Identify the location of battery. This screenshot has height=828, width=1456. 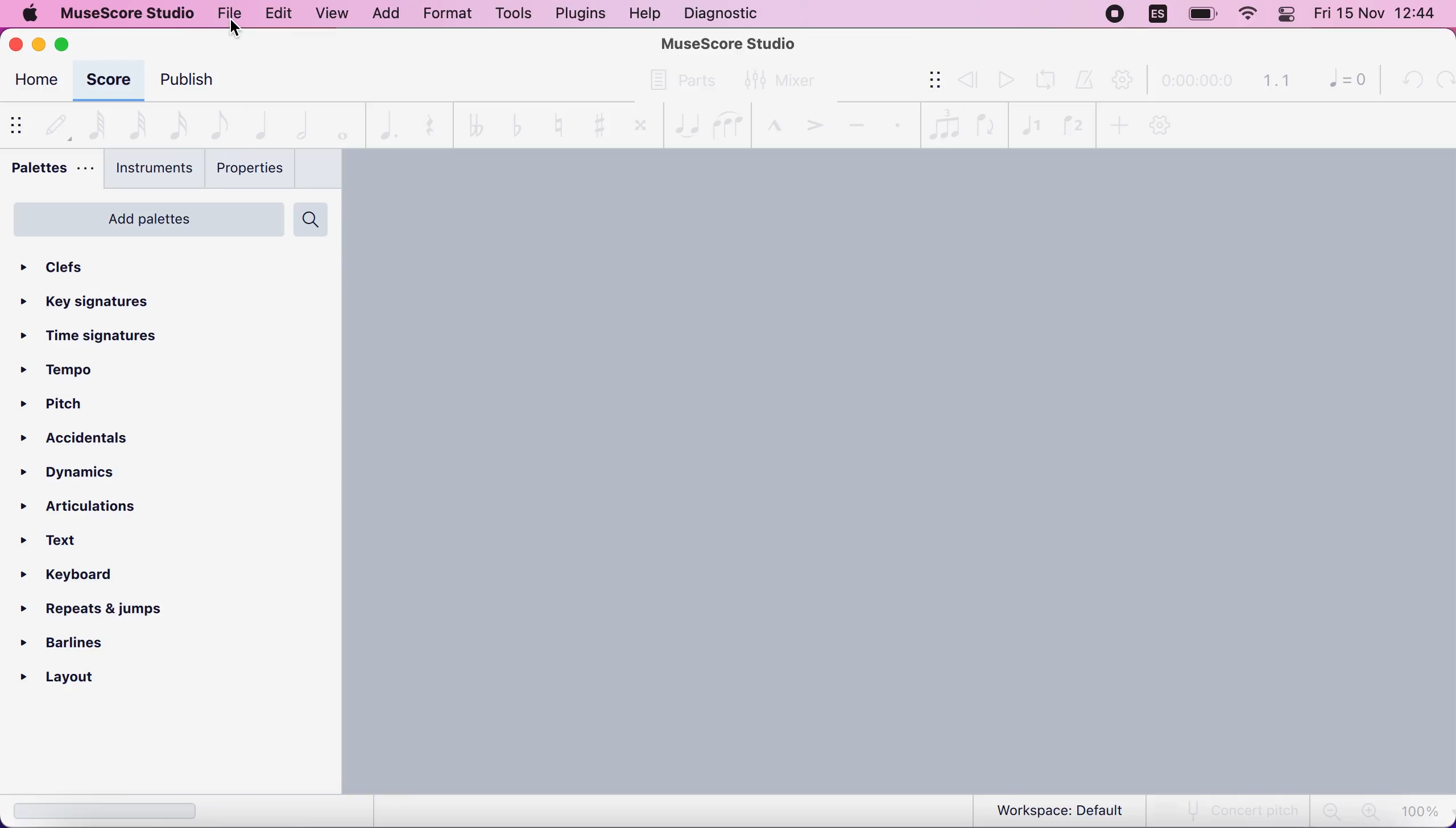
(1198, 15).